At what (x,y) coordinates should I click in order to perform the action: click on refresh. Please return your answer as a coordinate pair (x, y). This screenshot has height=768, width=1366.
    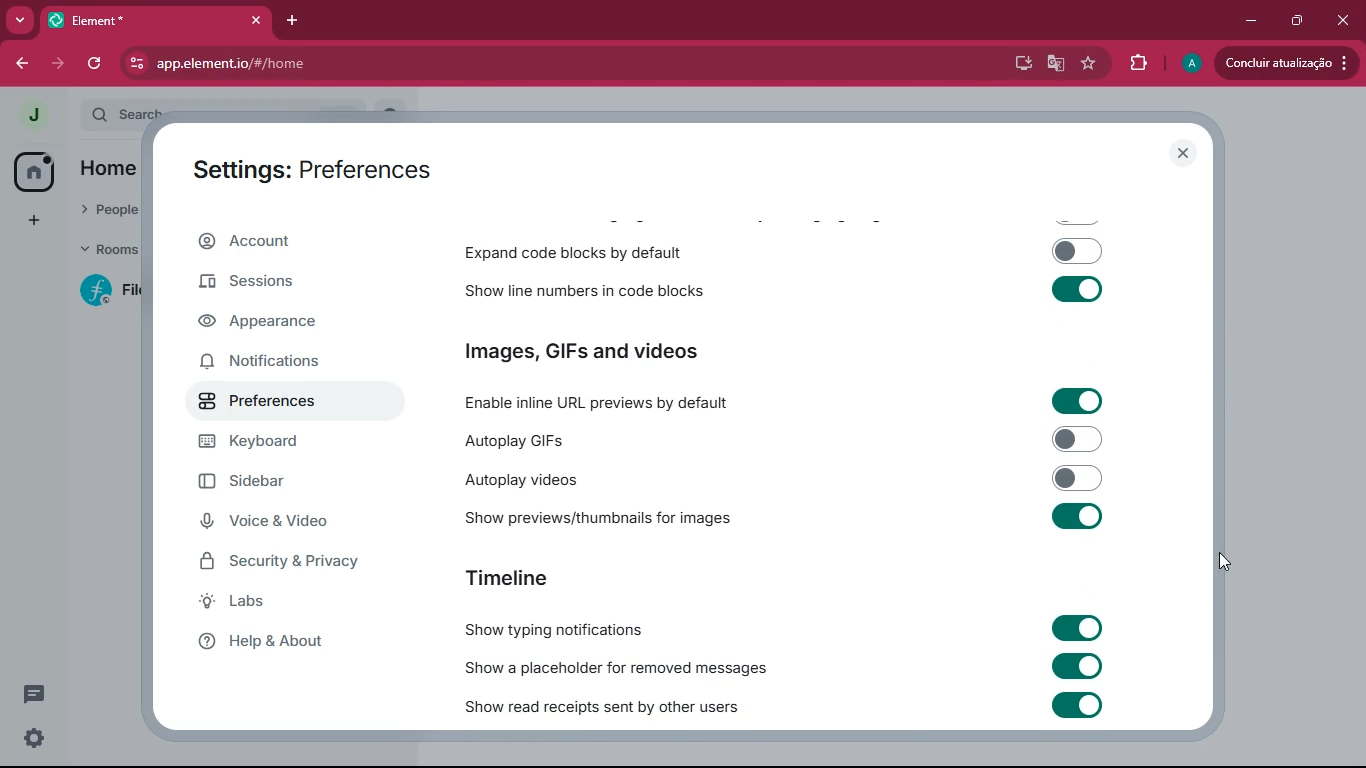
    Looking at the image, I should click on (96, 64).